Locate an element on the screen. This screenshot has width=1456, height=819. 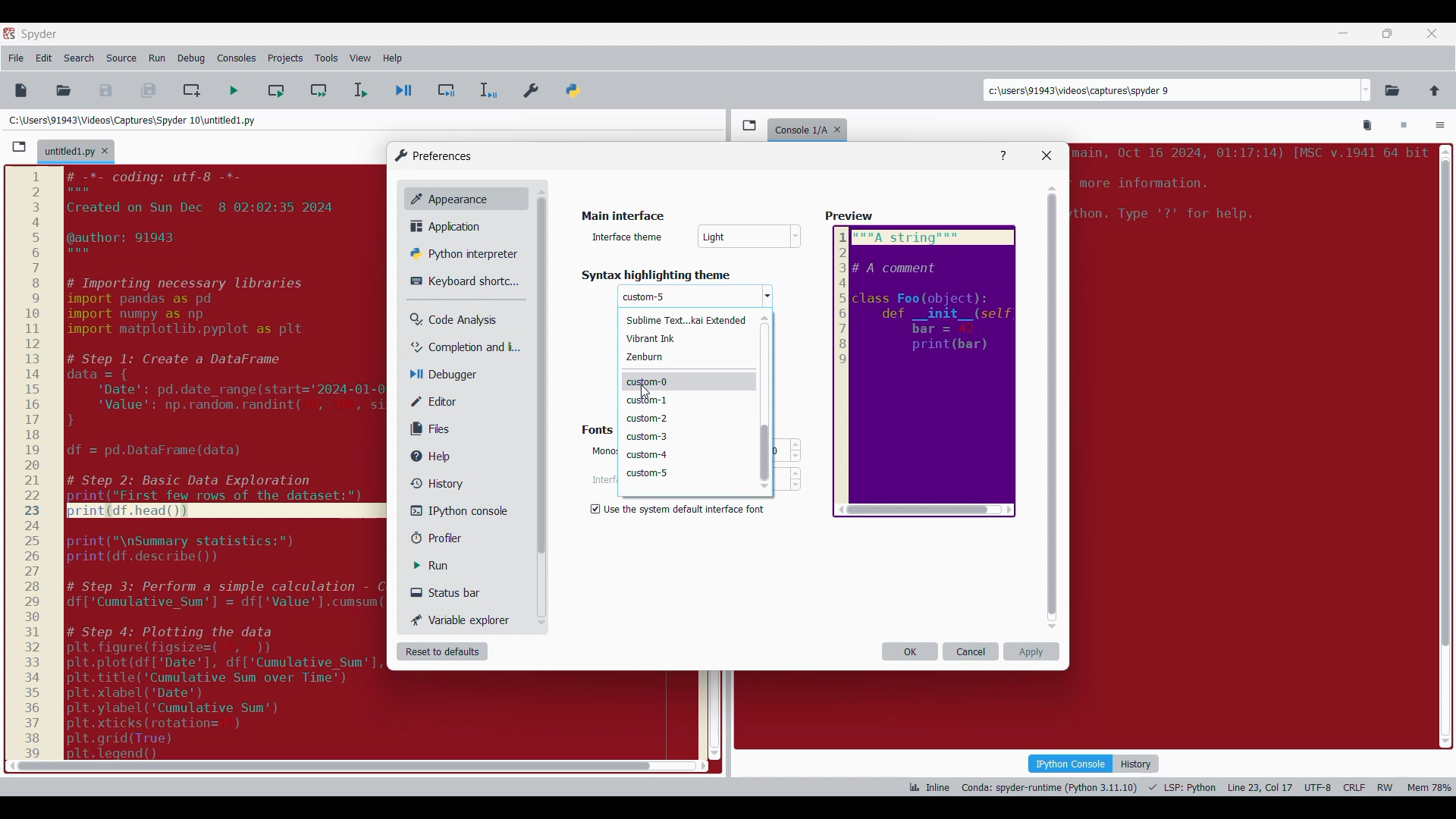
Window logo and title is located at coordinates (434, 155).